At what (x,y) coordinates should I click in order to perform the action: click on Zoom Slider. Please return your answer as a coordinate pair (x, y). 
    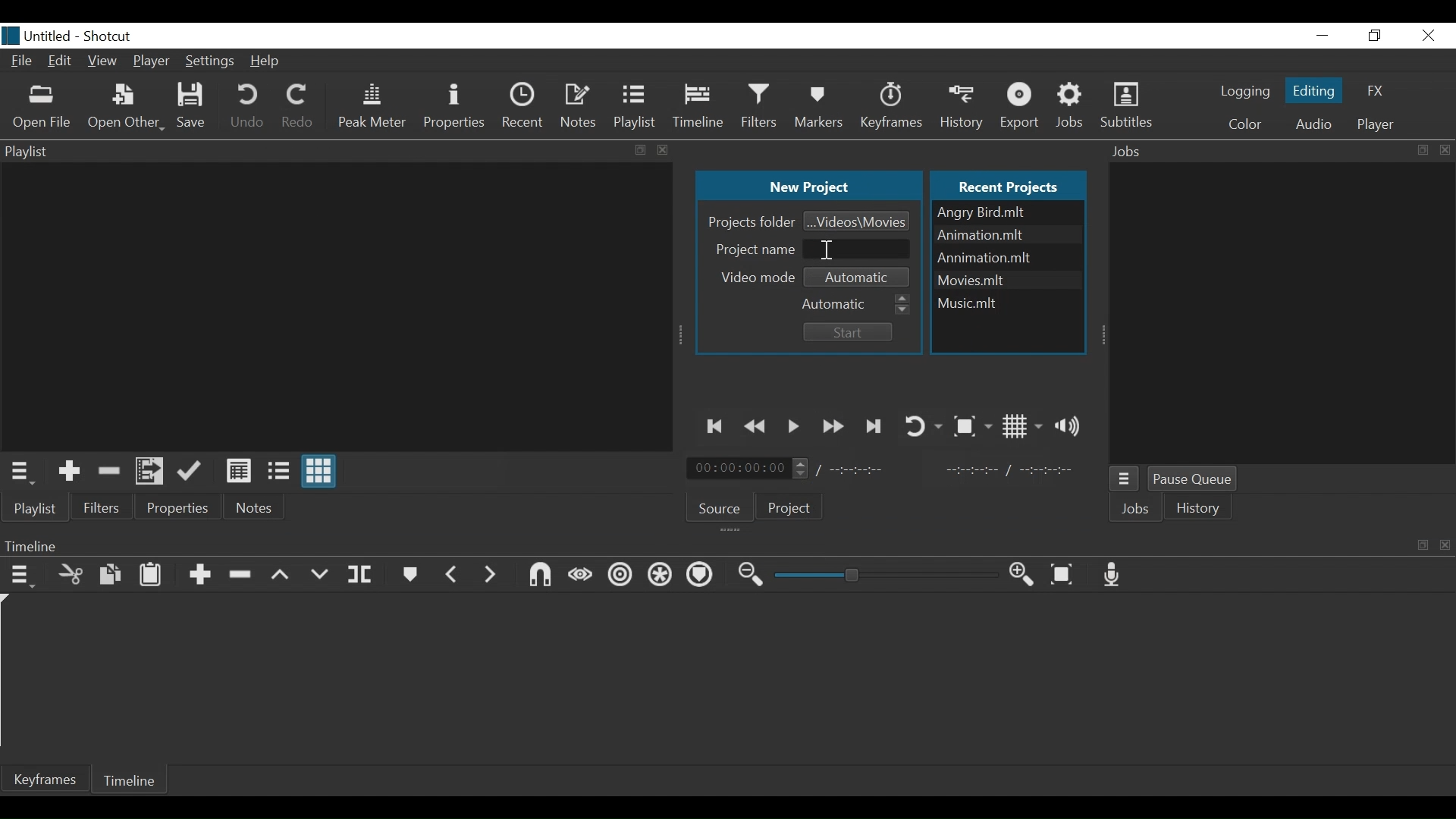
    Looking at the image, I should click on (886, 576).